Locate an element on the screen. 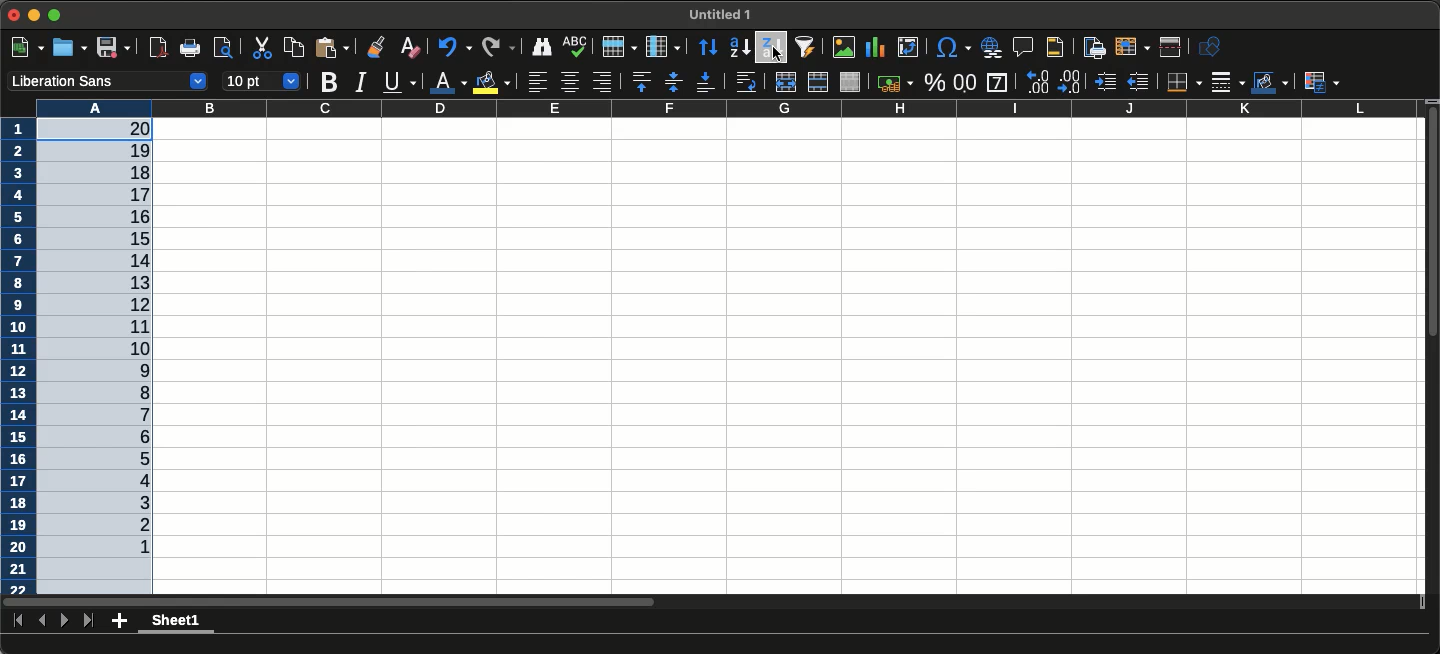 The height and width of the screenshot is (654, 1440). Find and replace is located at coordinates (539, 46).